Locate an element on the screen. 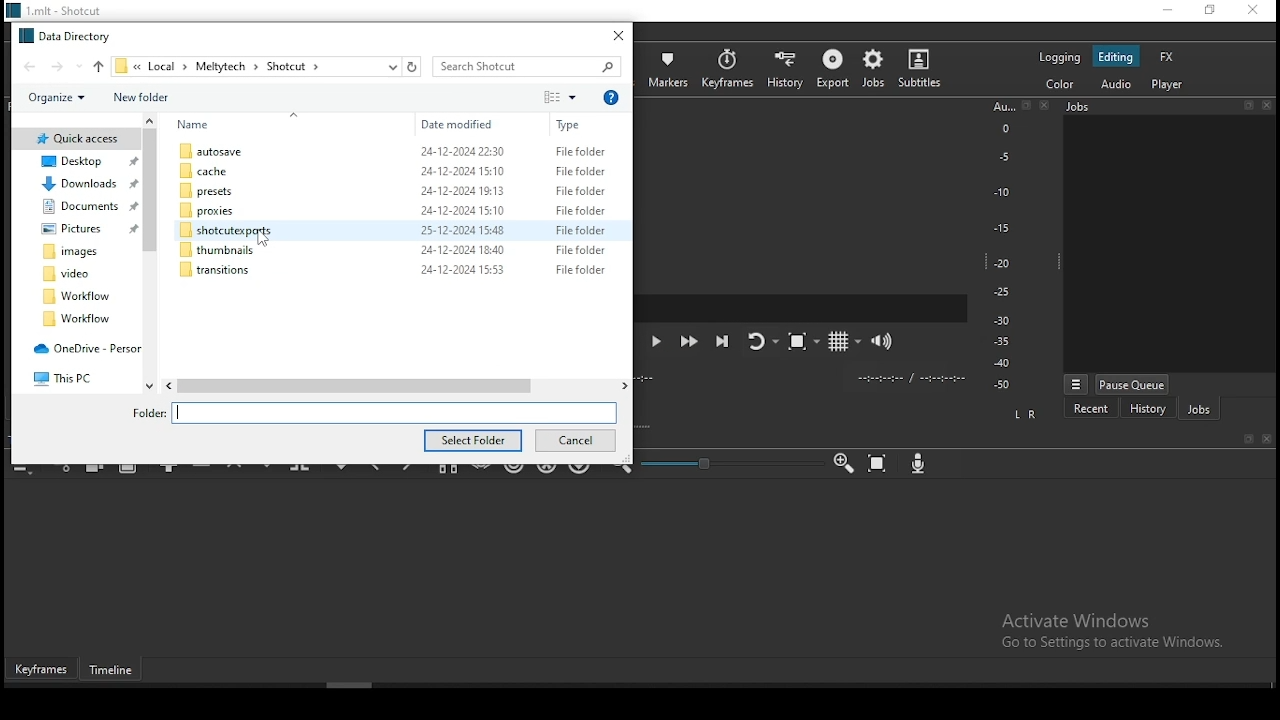 This screenshot has height=720, width=1280. Sort by is located at coordinates (555, 97).